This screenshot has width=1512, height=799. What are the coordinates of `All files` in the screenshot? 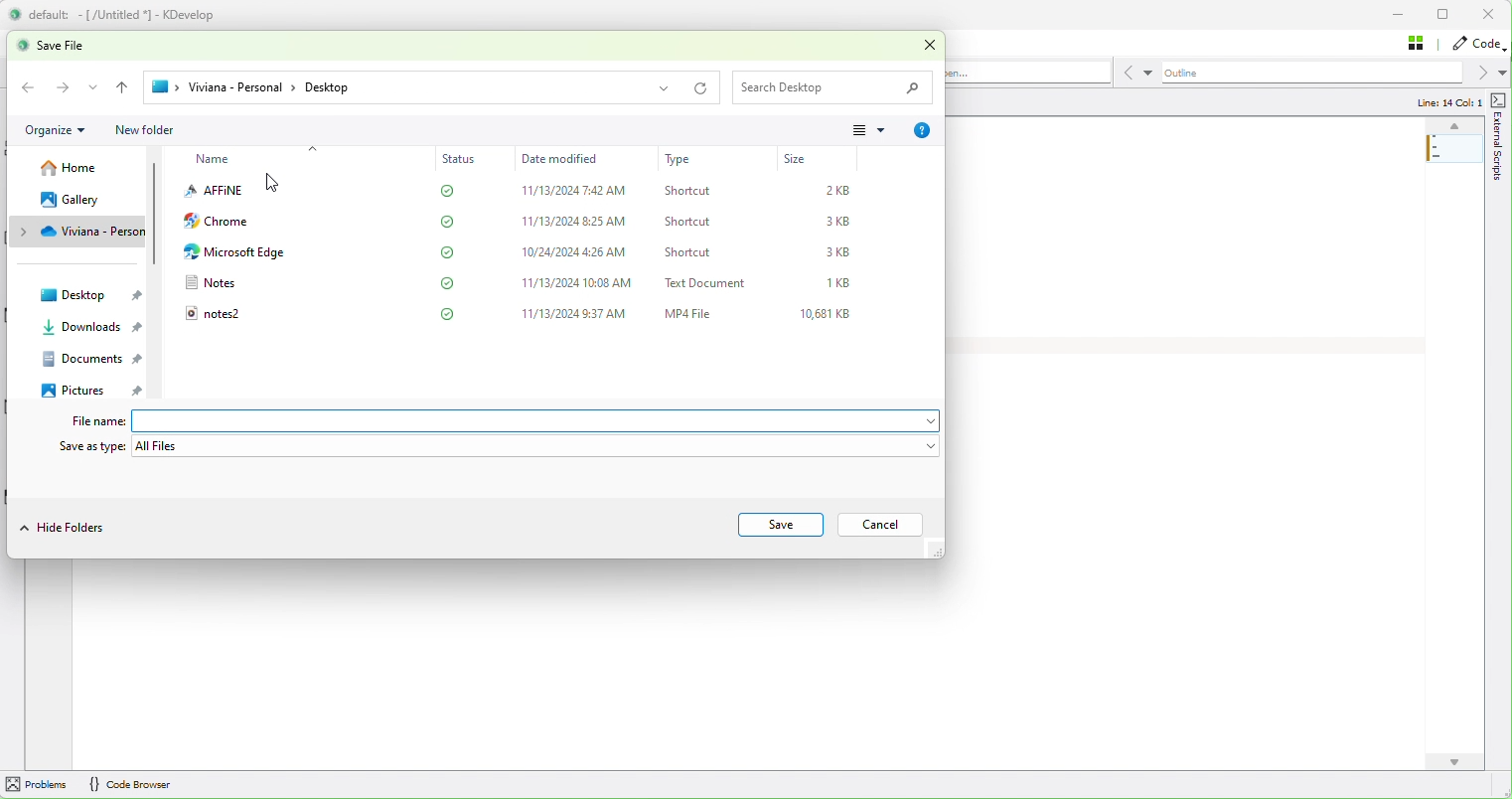 It's located at (536, 446).